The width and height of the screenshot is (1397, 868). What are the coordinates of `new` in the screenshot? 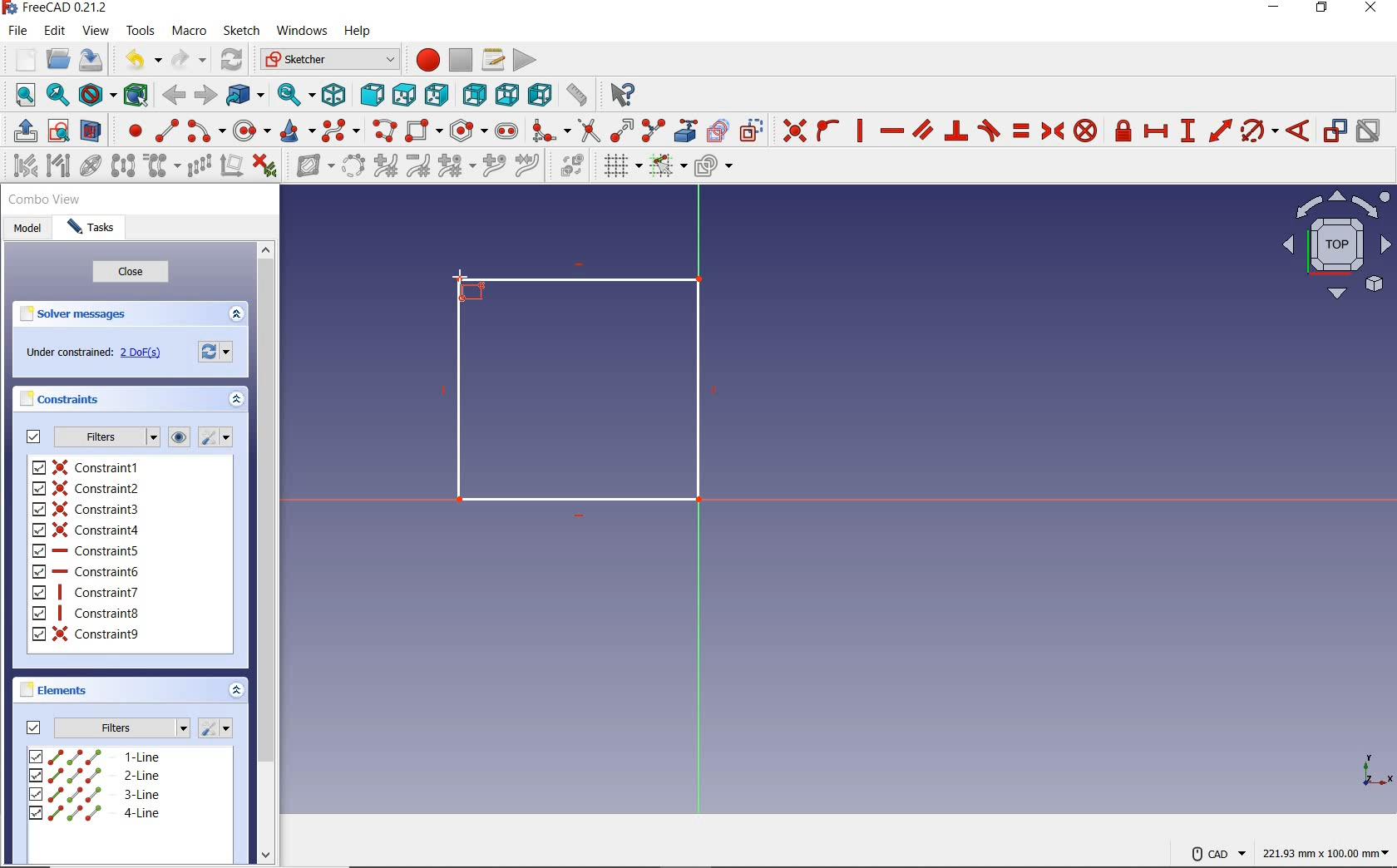 It's located at (20, 57).